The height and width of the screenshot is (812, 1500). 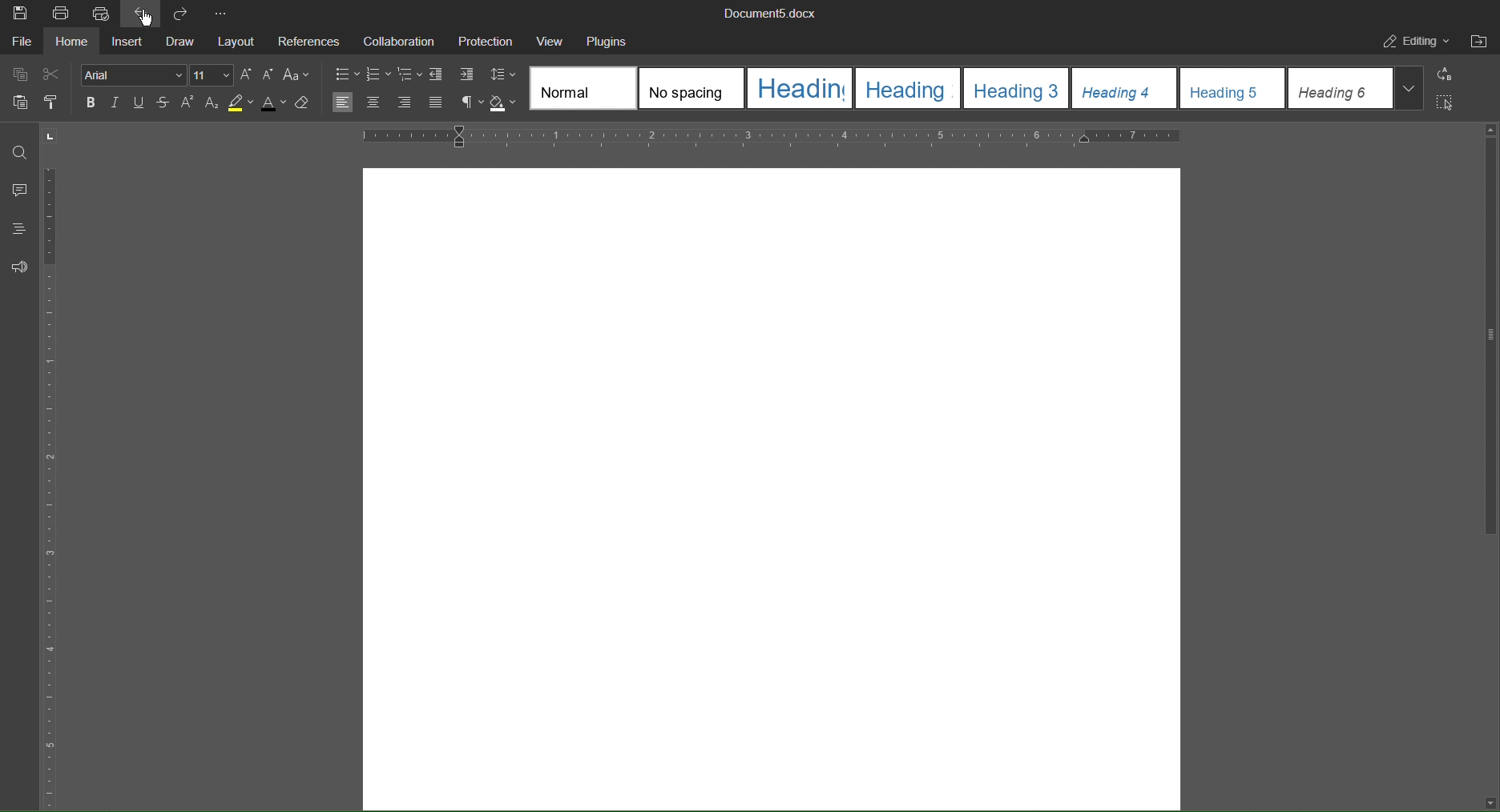 What do you see at coordinates (1480, 41) in the screenshot?
I see `Open File Location` at bounding box center [1480, 41].